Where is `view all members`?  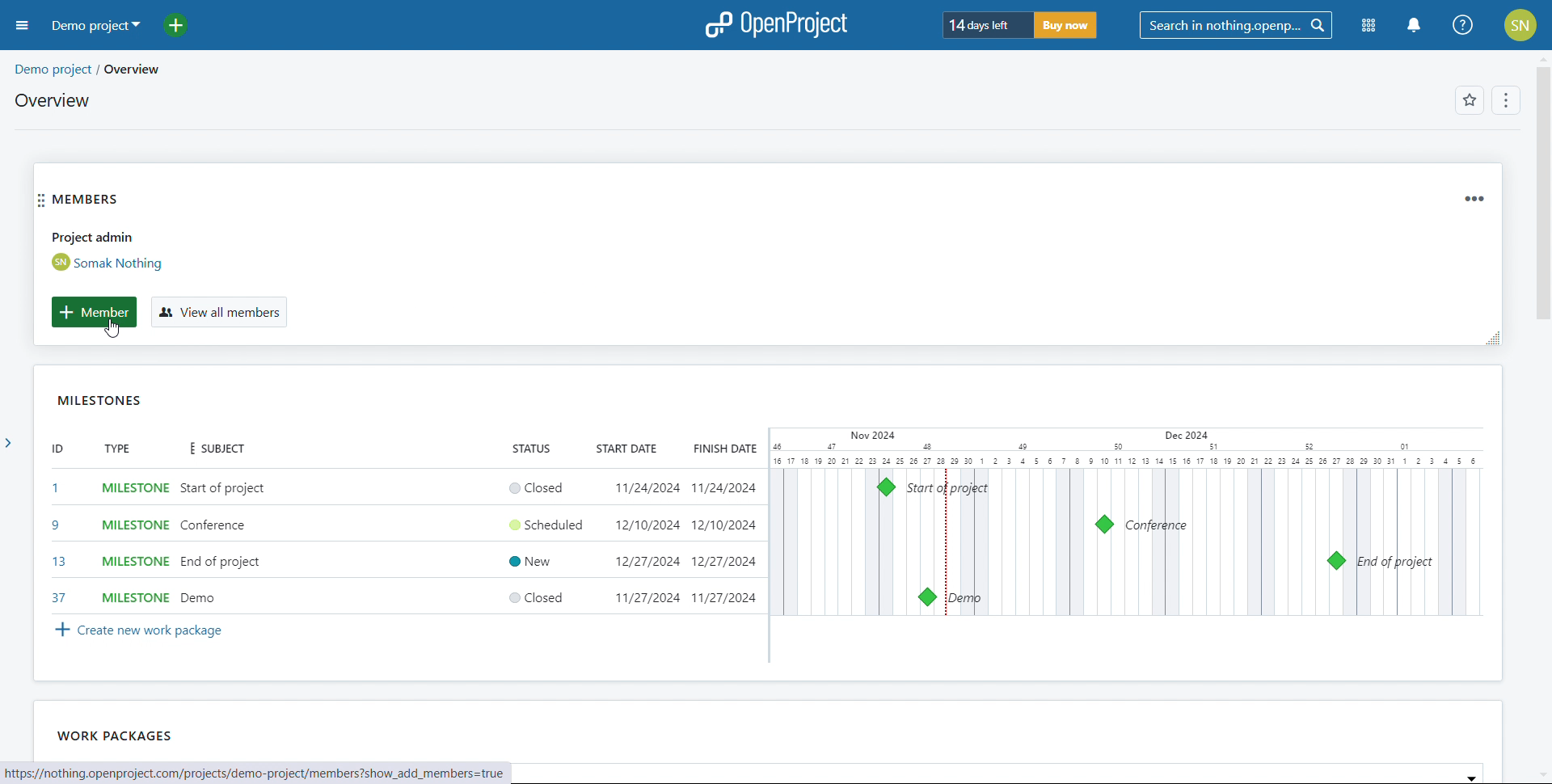 view all members is located at coordinates (218, 312).